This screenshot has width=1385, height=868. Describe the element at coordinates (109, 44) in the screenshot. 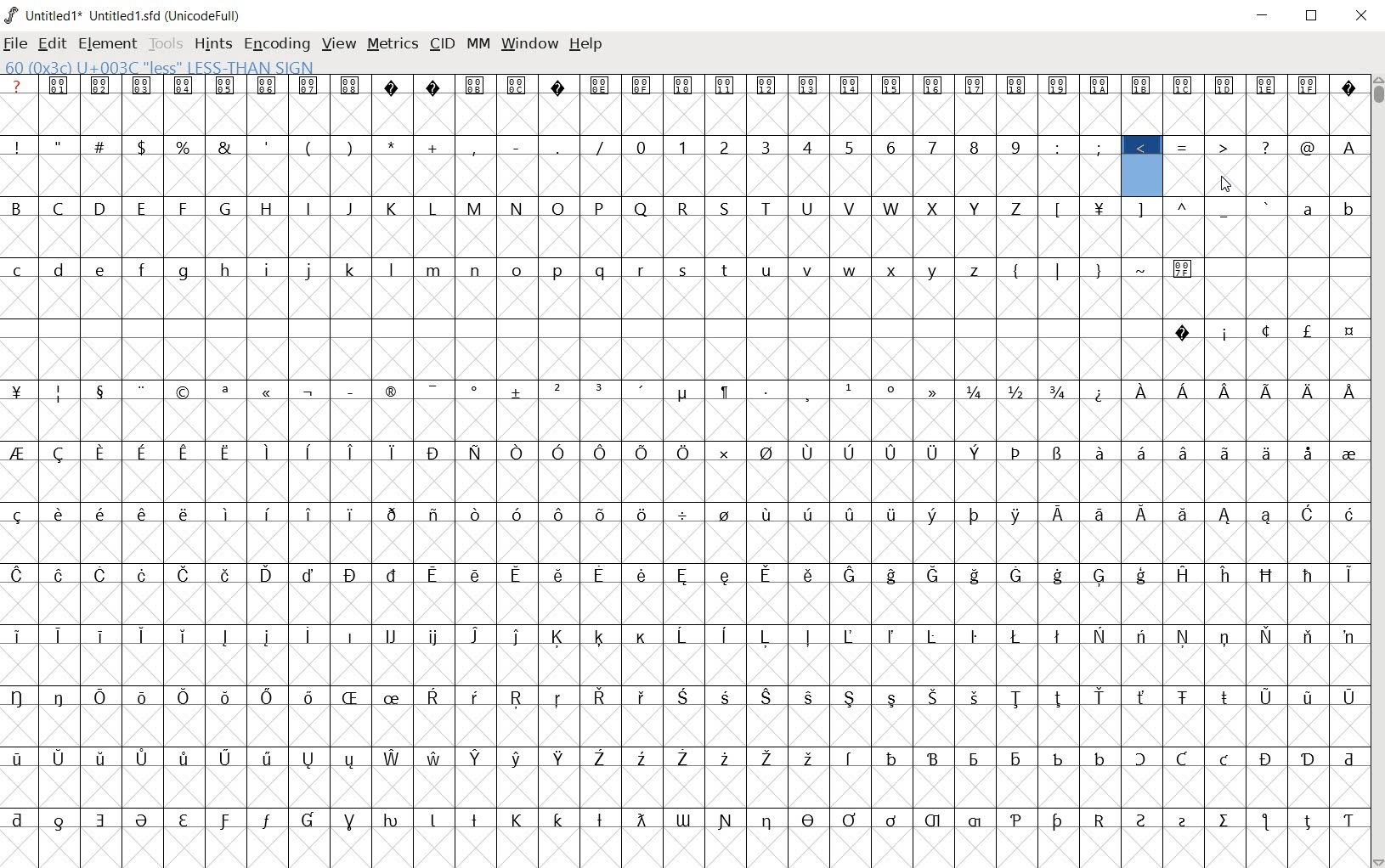

I see `element` at that location.